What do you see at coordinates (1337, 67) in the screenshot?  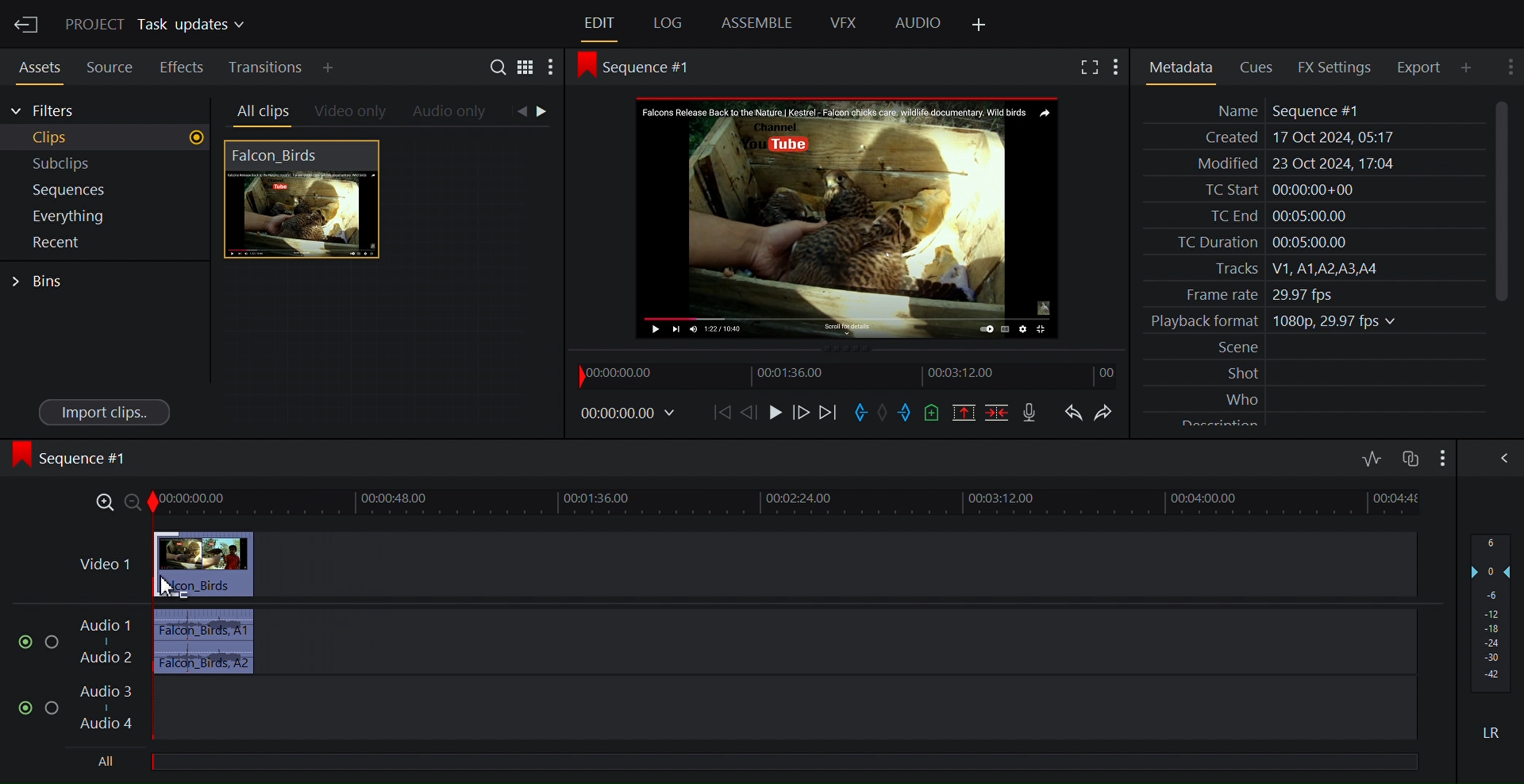 I see `FX Settings` at bounding box center [1337, 67].